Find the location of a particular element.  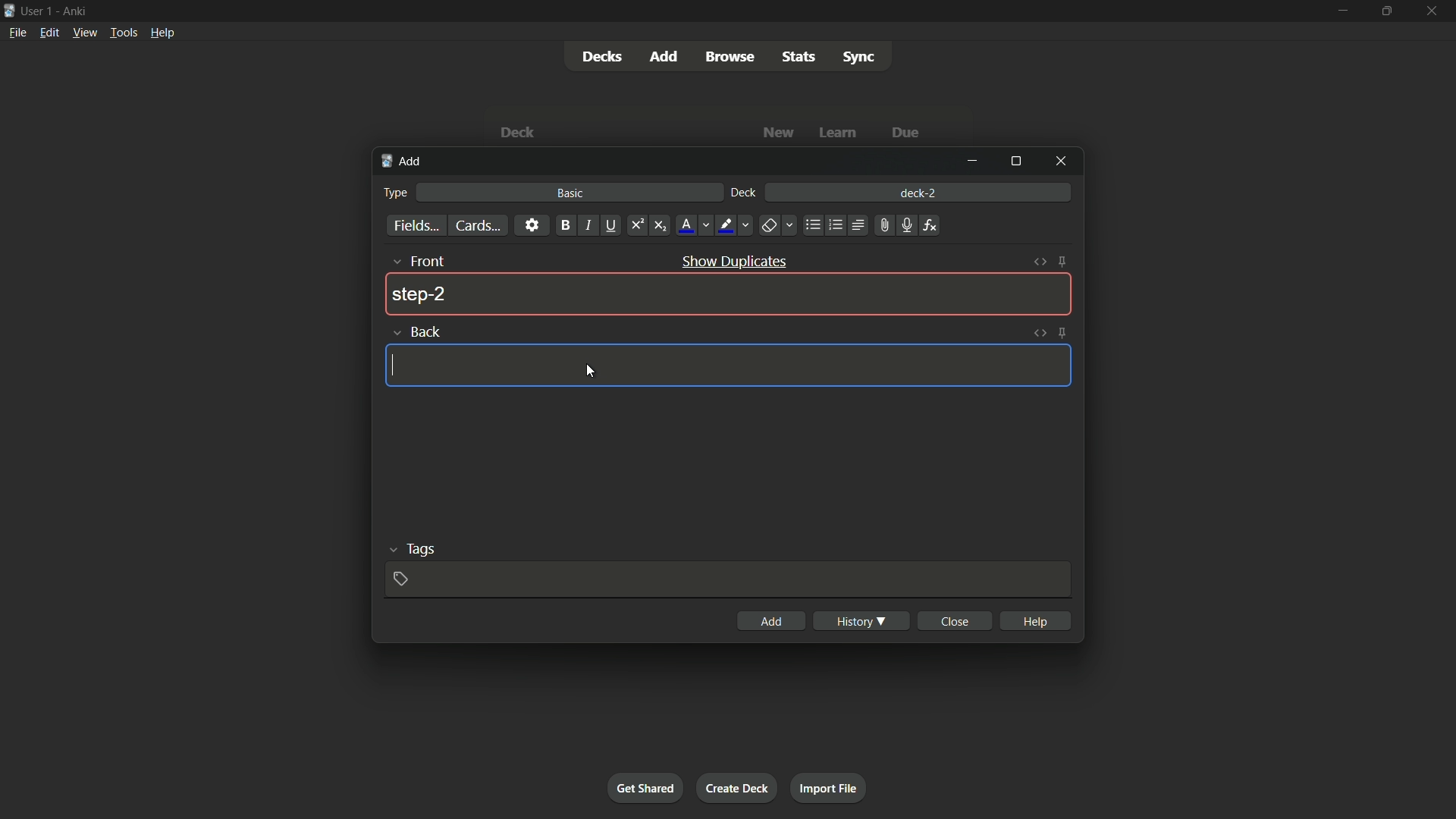

toggle sticky is located at coordinates (1064, 262).